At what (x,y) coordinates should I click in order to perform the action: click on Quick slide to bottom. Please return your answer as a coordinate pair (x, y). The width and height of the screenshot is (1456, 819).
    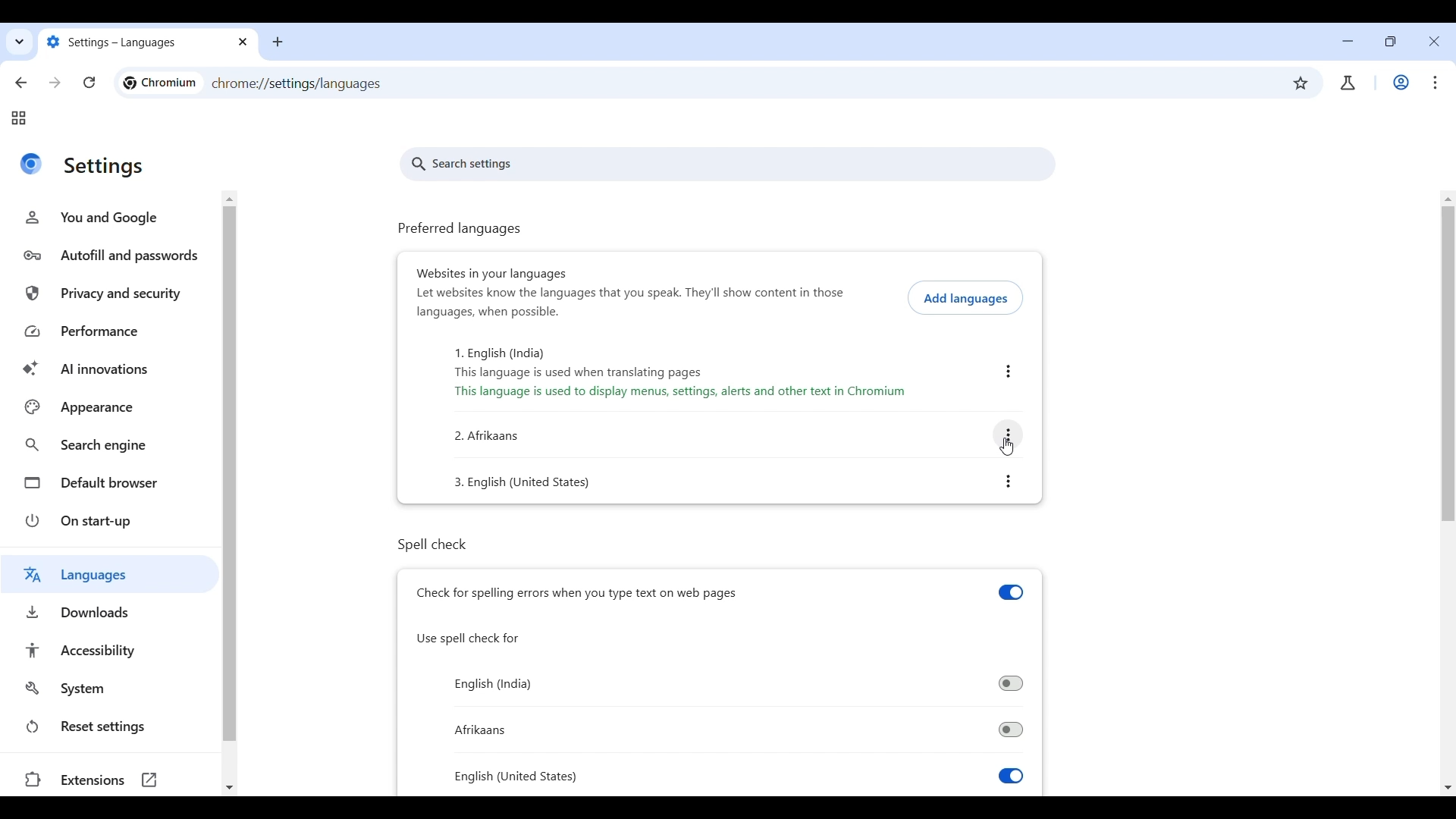
    Looking at the image, I should click on (229, 788).